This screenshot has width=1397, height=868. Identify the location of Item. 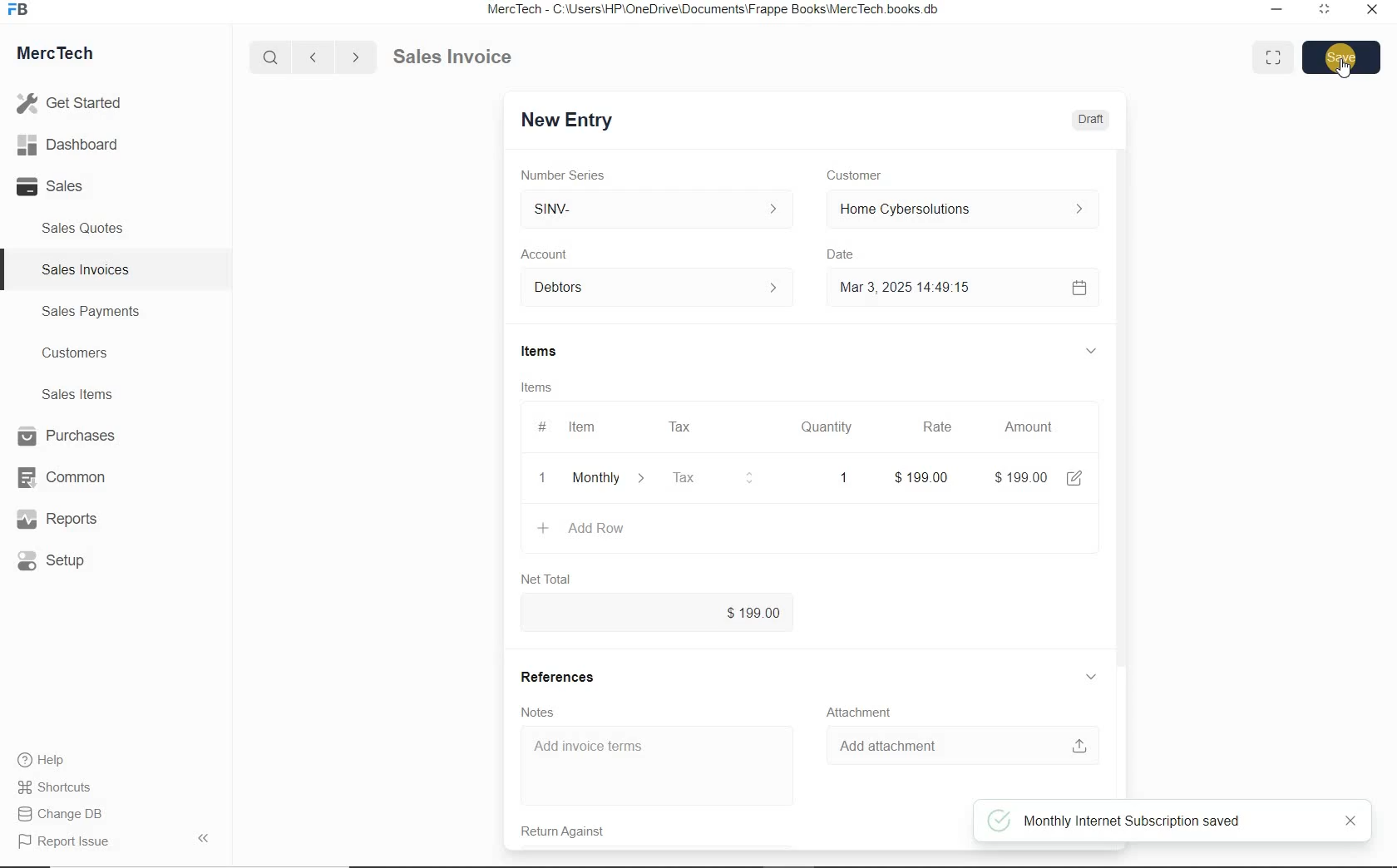
(584, 427).